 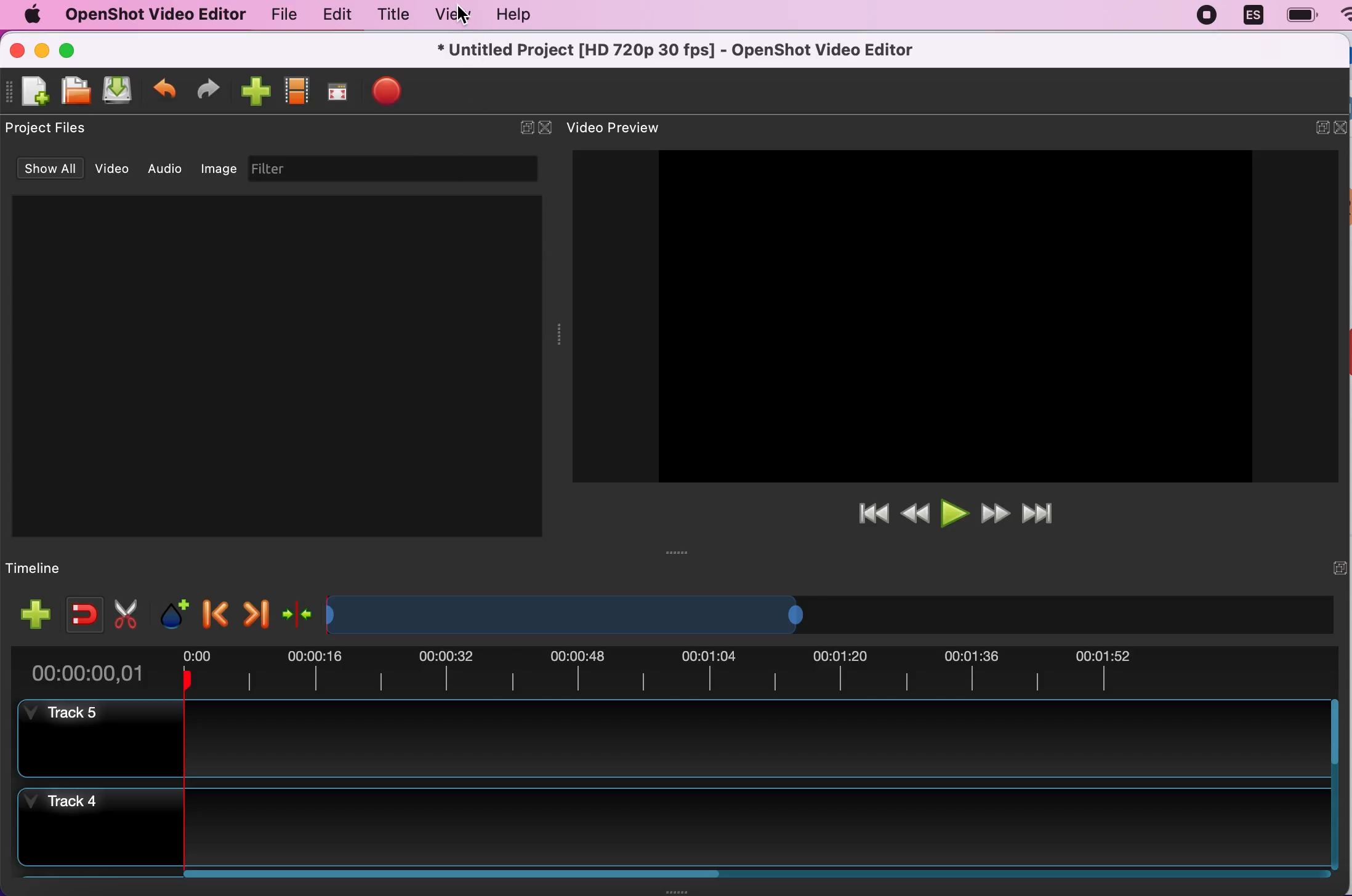 What do you see at coordinates (521, 18) in the screenshot?
I see `help` at bounding box center [521, 18].